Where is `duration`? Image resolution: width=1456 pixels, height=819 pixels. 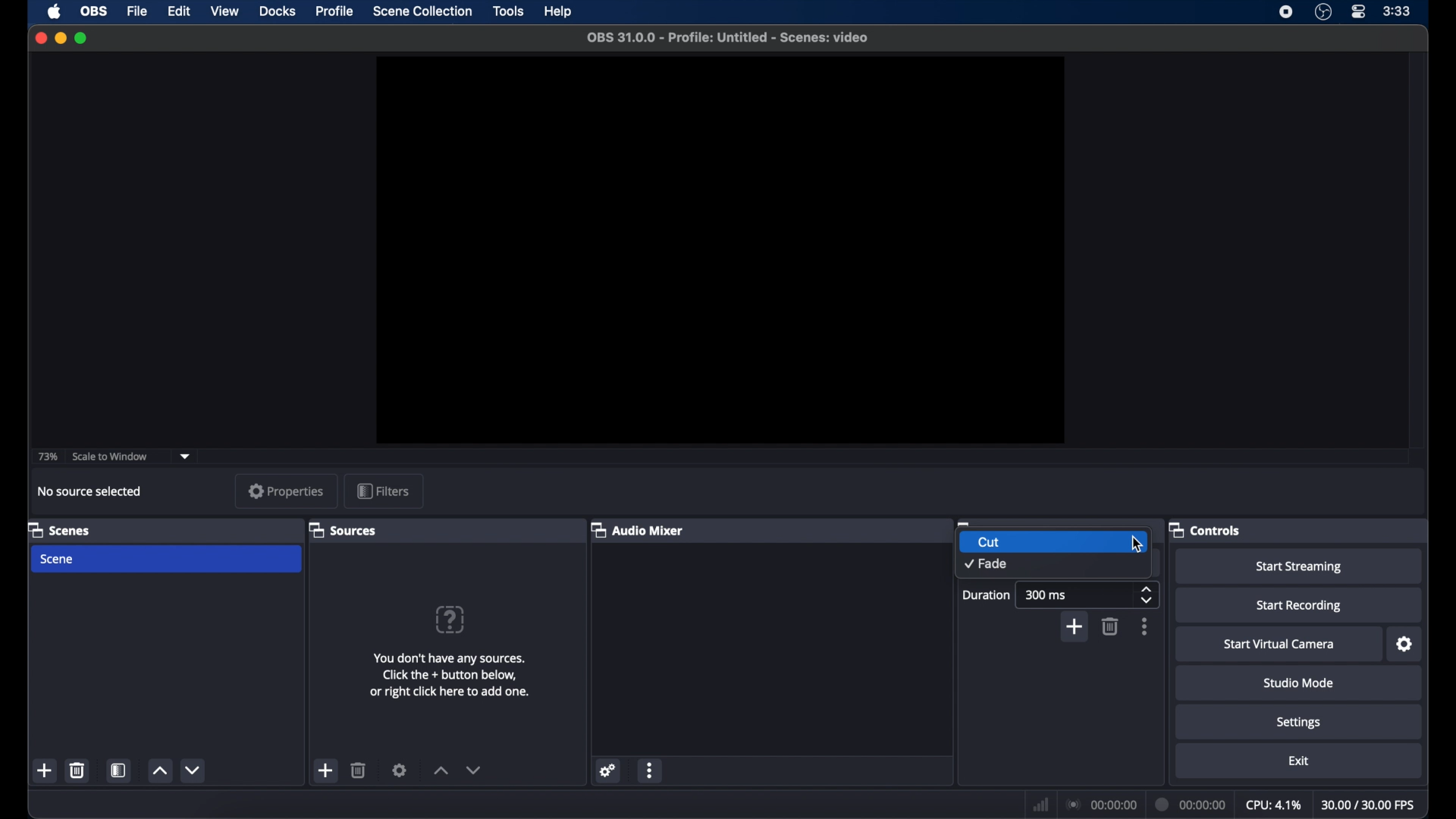
duration is located at coordinates (1192, 802).